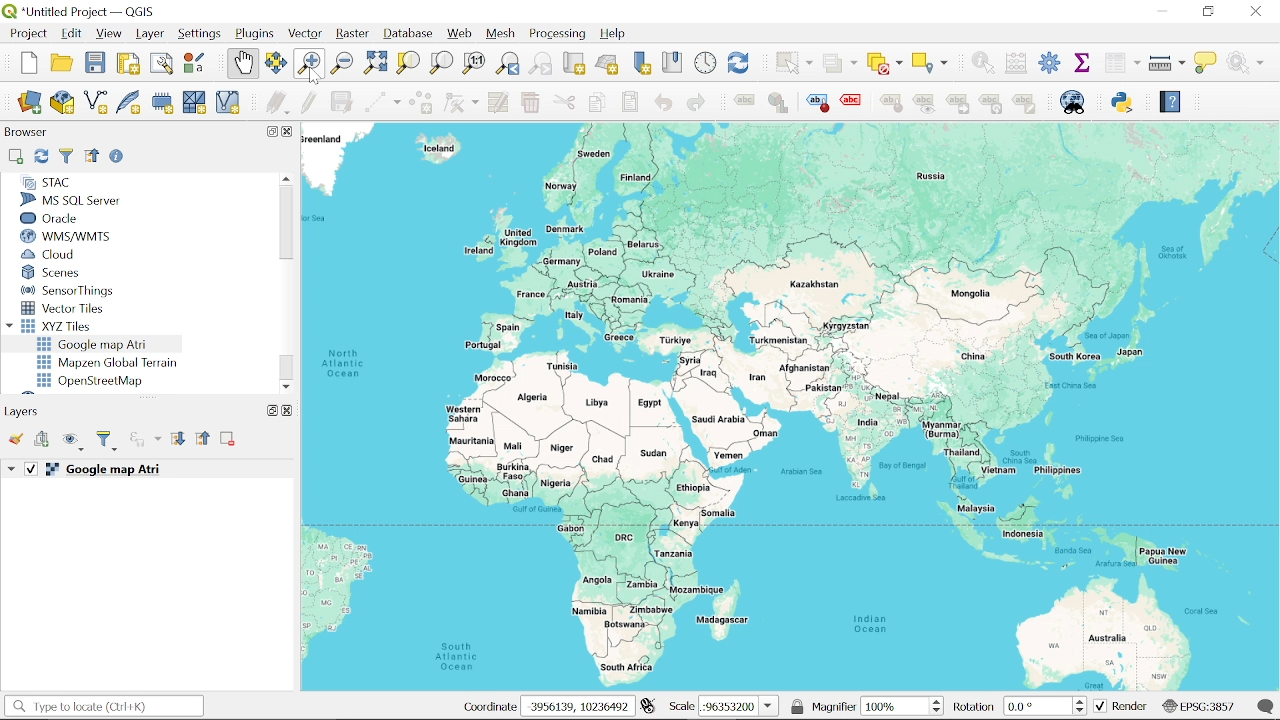 The image size is (1280, 720). Describe the element at coordinates (352, 36) in the screenshot. I see `Raster` at that location.